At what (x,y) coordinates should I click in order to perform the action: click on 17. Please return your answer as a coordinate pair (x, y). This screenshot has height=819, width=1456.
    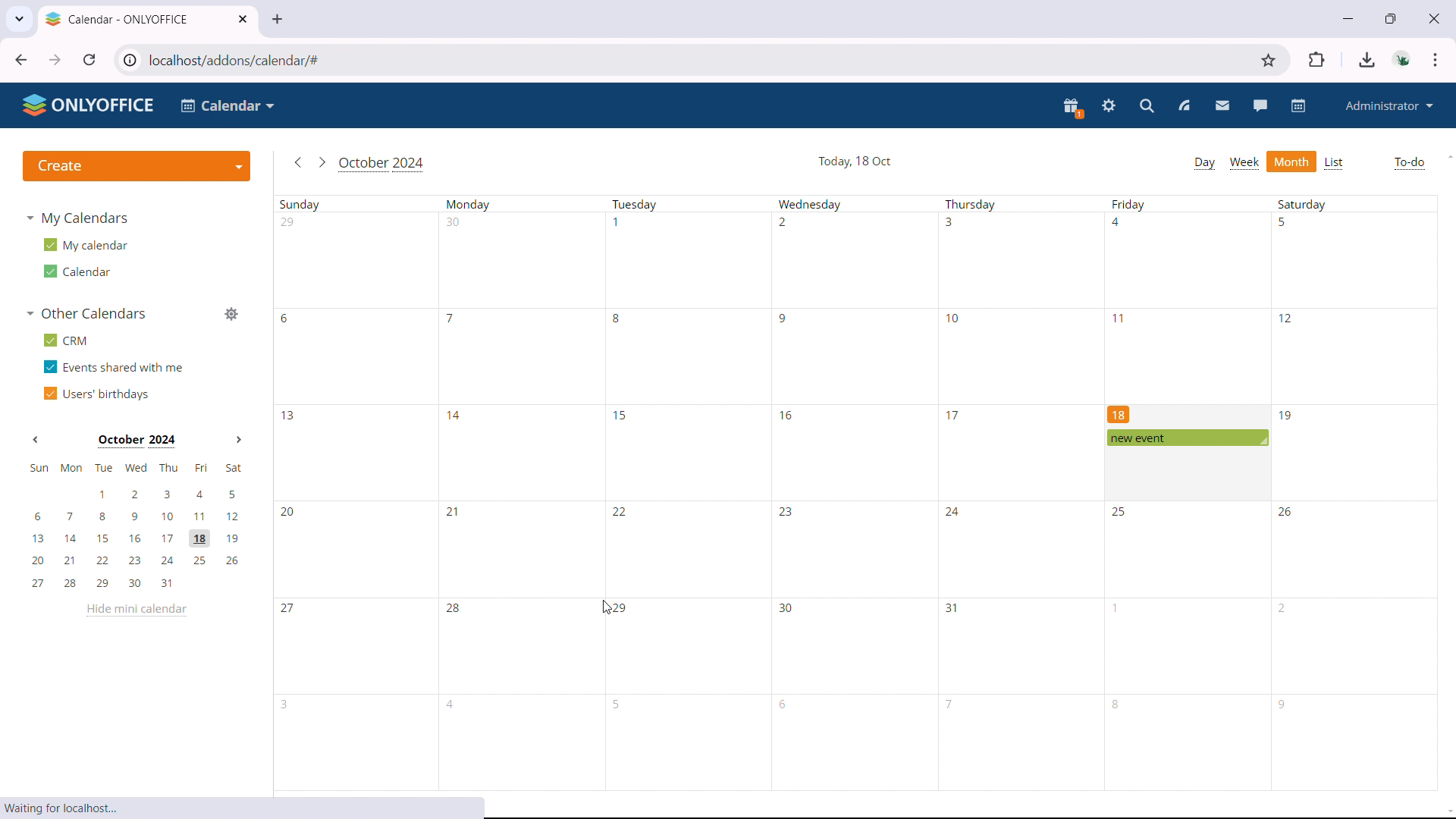
    Looking at the image, I should click on (953, 415).